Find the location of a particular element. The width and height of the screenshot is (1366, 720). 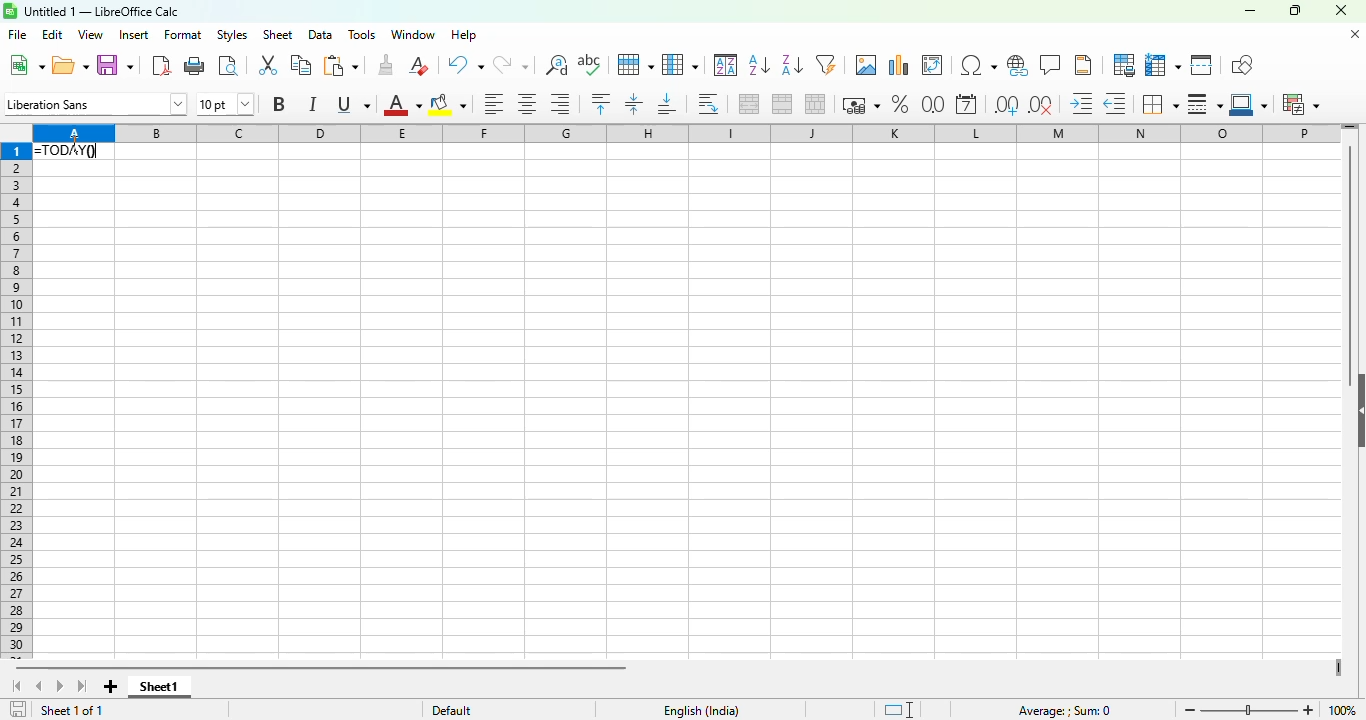

format as percent is located at coordinates (900, 104).